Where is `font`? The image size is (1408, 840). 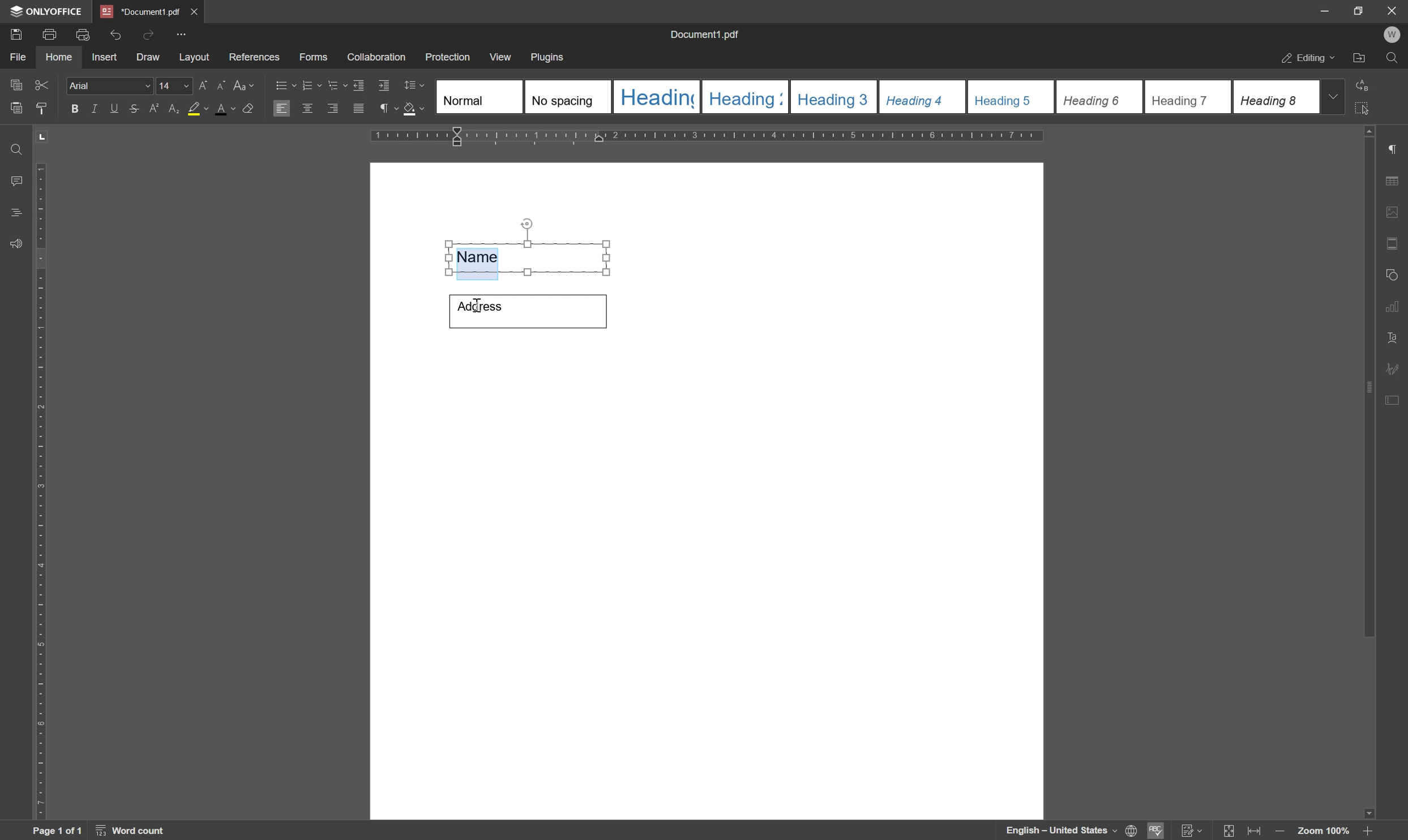 font is located at coordinates (110, 86).